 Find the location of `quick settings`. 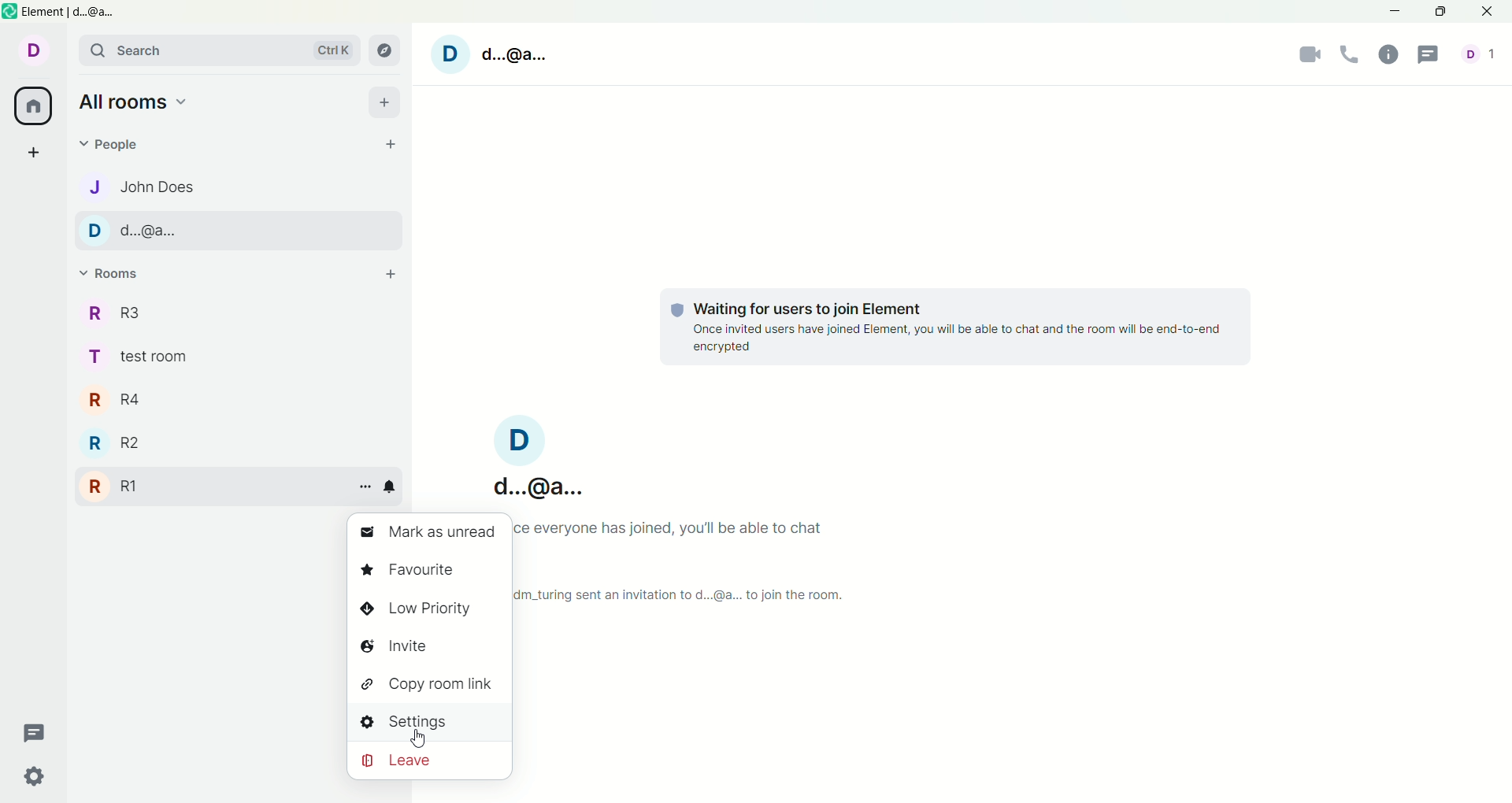

quick settings is located at coordinates (31, 779).